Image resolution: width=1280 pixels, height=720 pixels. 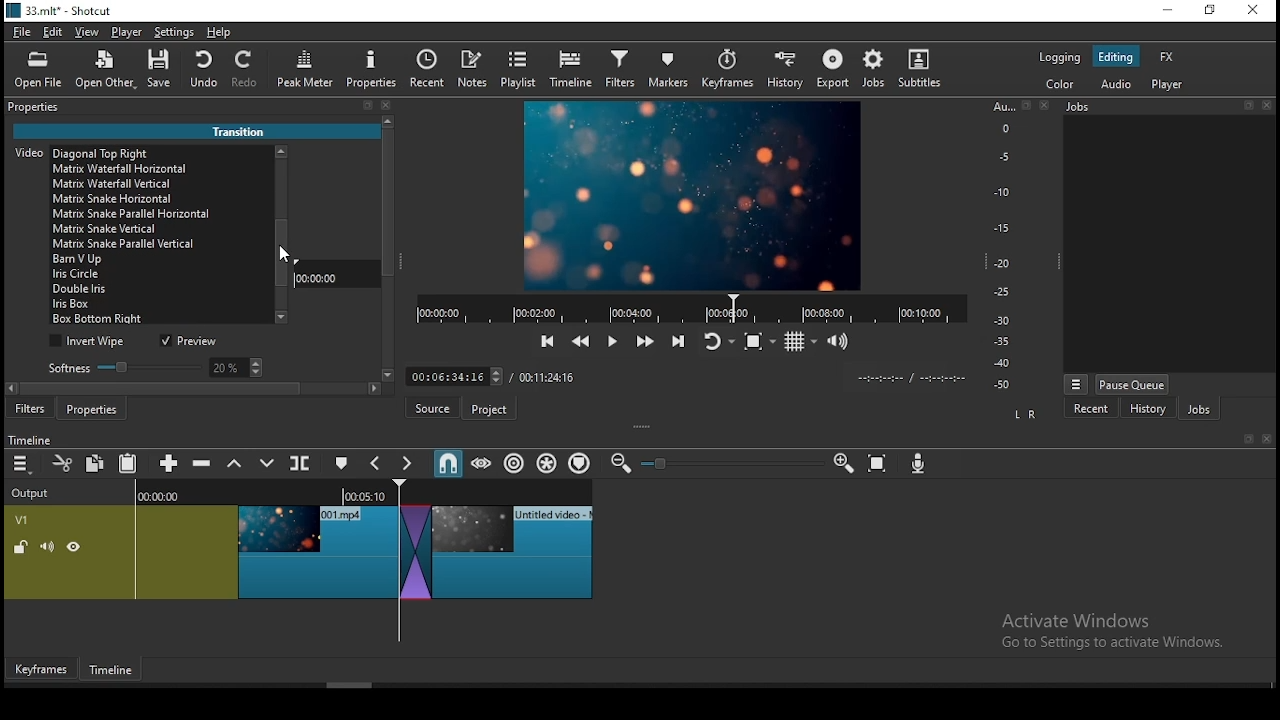 What do you see at coordinates (1086, 110) in the screenshot?
I see `Jobs` at bounding box center [1086, 110].